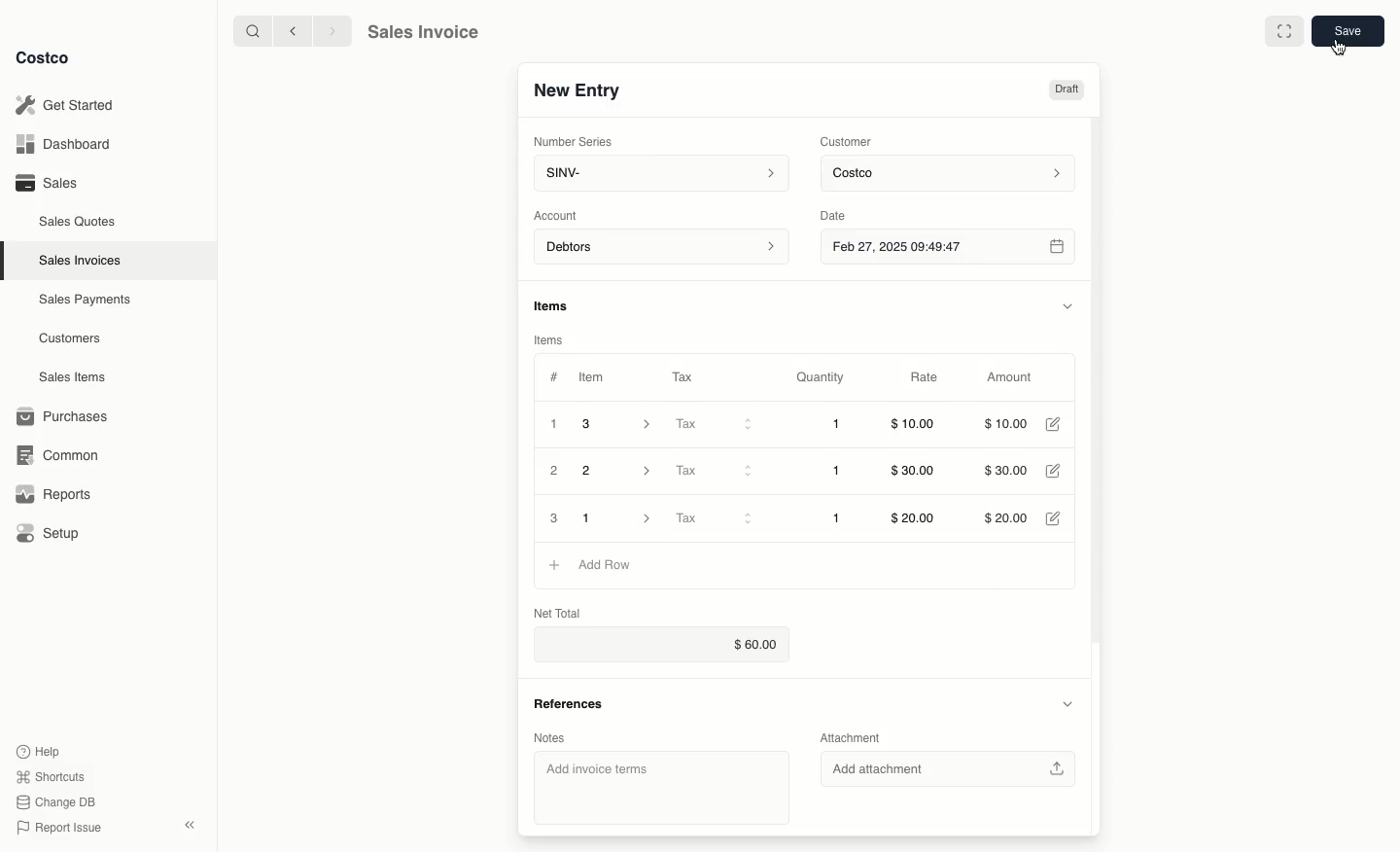 This screenshot has width=1400, height=852. I want to click on Attachment, so click(856, 736).